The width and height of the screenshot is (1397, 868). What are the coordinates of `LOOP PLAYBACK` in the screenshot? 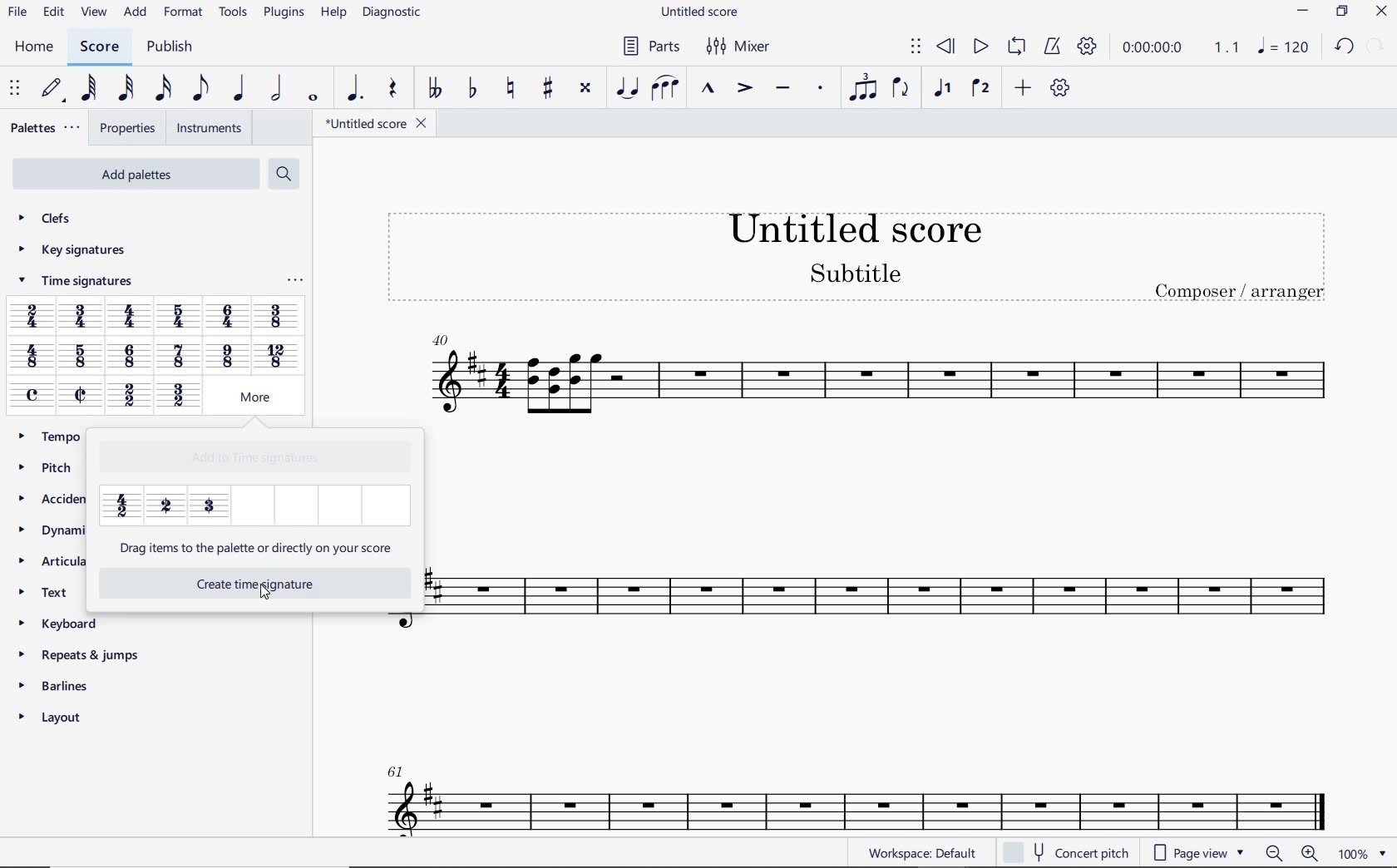 It's located at (1015, 47).